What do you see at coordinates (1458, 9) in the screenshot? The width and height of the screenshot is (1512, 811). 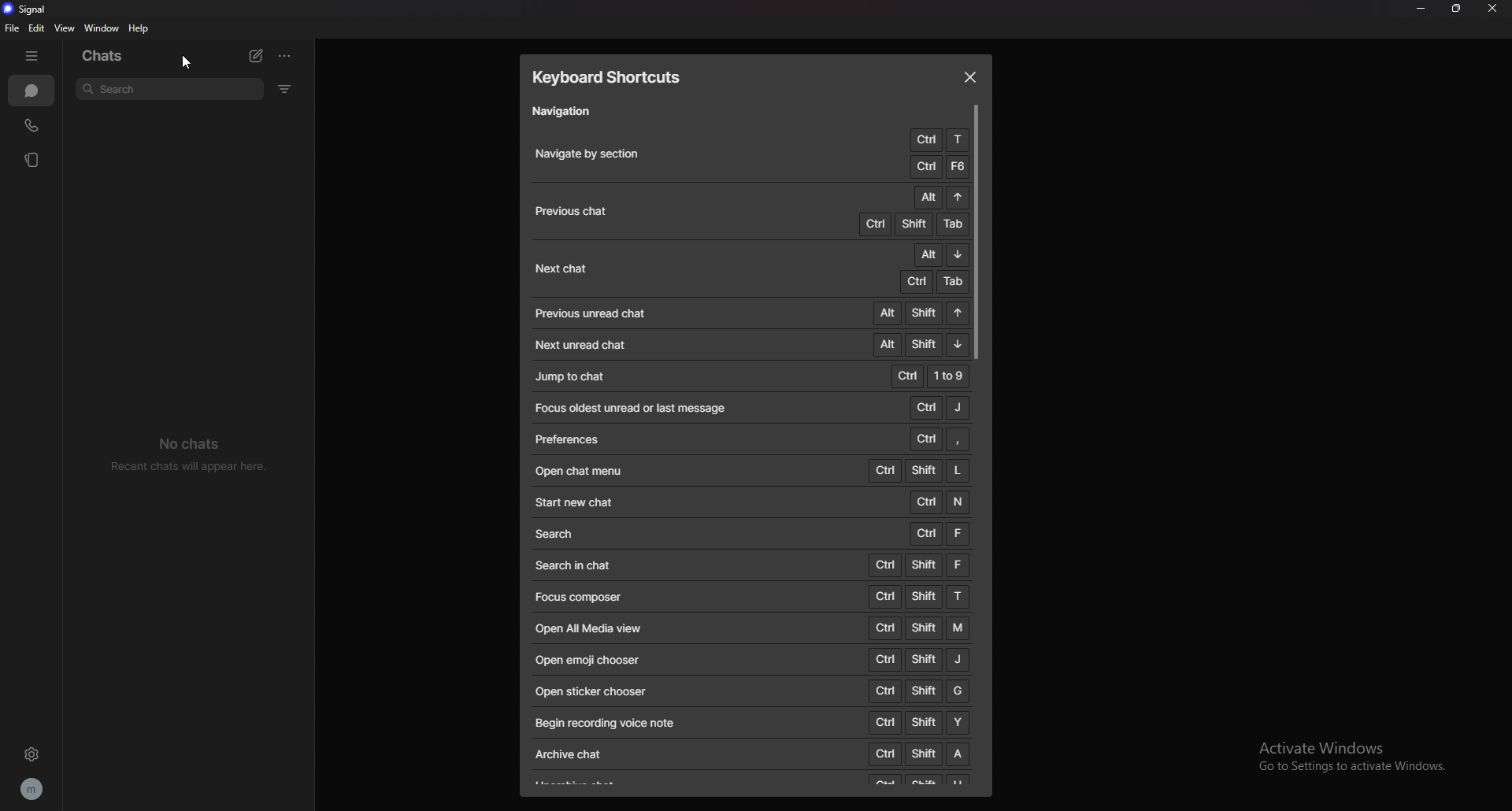 I see `resize` at bounding box center [1458, 9].